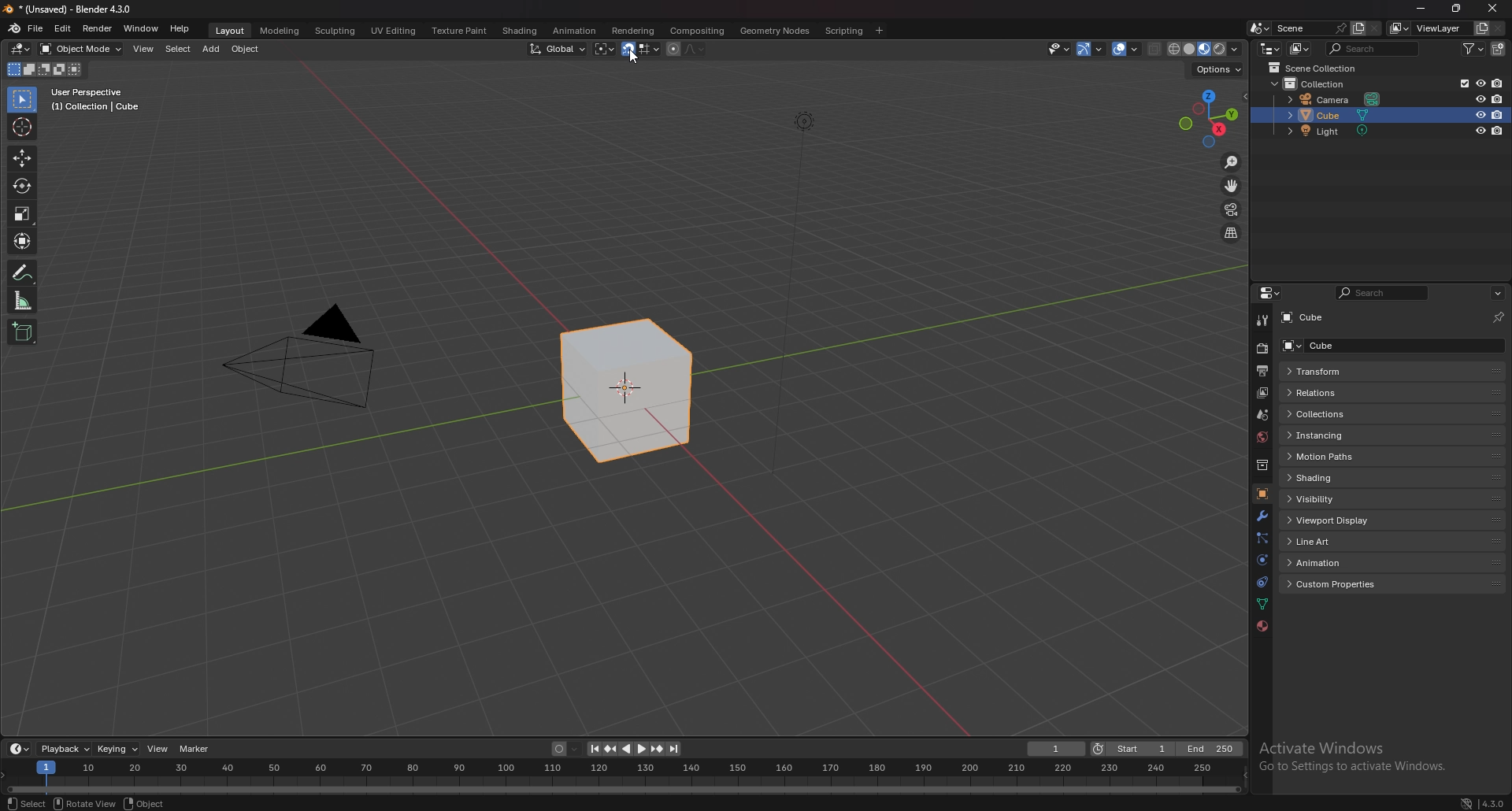 The height and width of the screenshot is (811, 1512). What do you see at coordinates (1328, 393) in the screenshot?
I see `relations` at bounding box center [1328, 393].